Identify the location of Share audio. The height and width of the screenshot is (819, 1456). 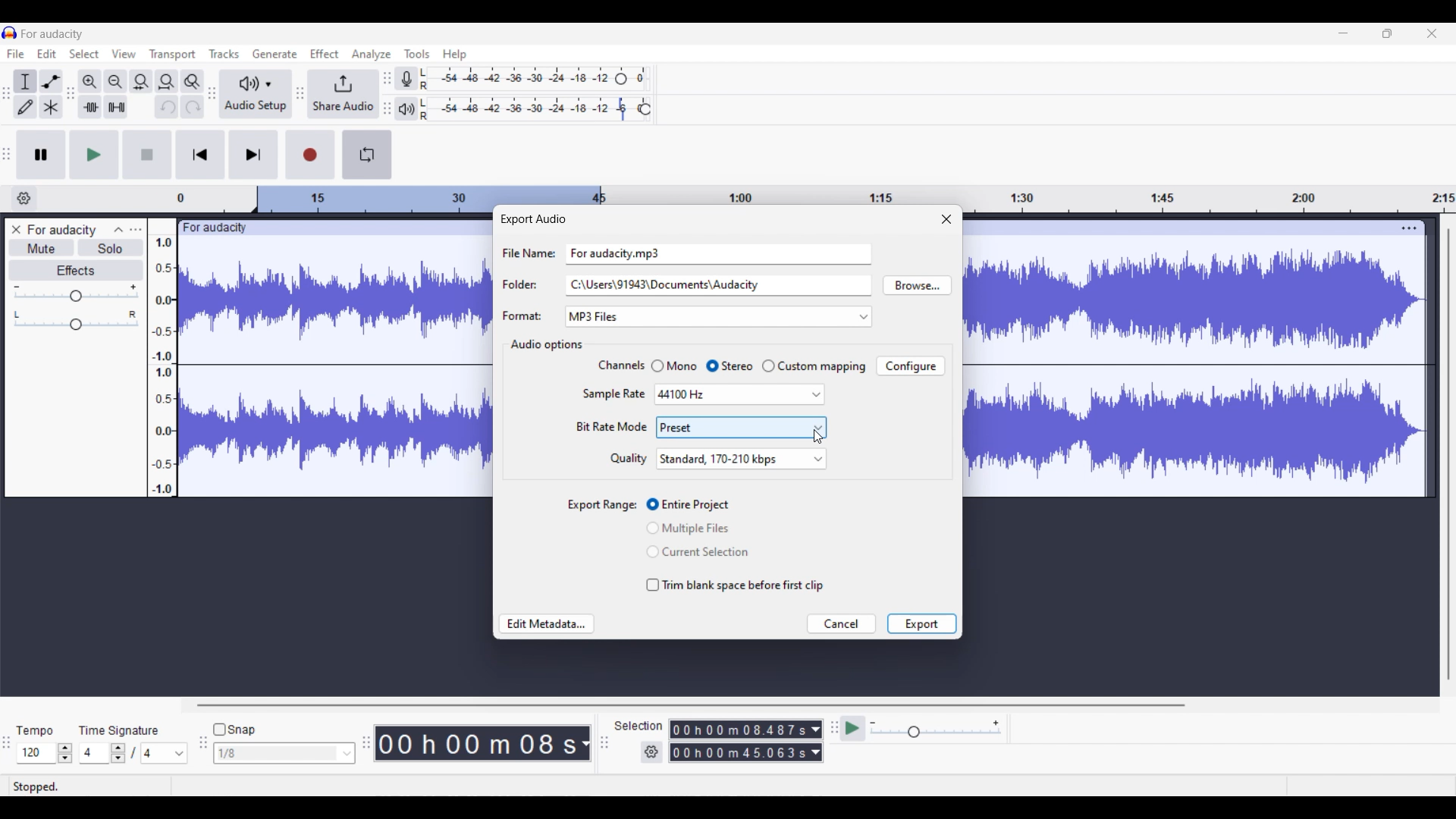
(343, 94).